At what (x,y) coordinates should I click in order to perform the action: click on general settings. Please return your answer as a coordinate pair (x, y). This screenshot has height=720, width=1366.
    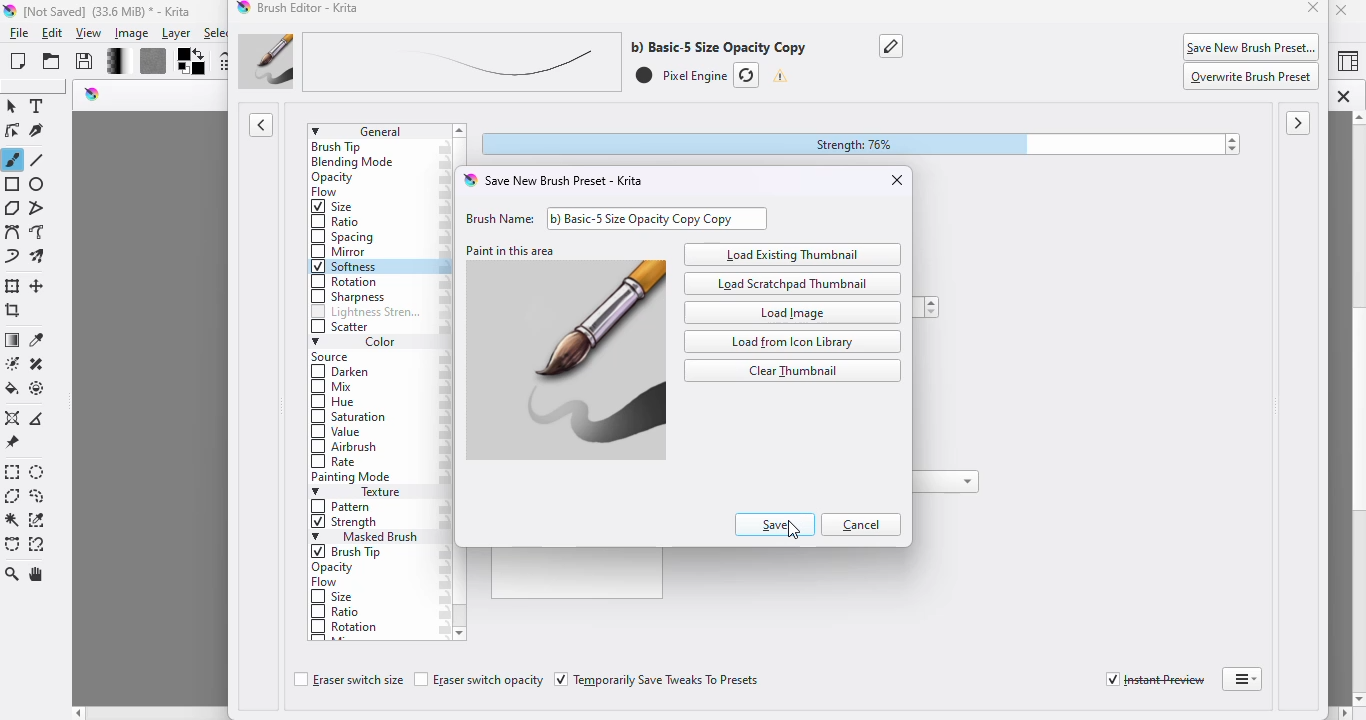
    Looking at the image, I should click on (378, 131).